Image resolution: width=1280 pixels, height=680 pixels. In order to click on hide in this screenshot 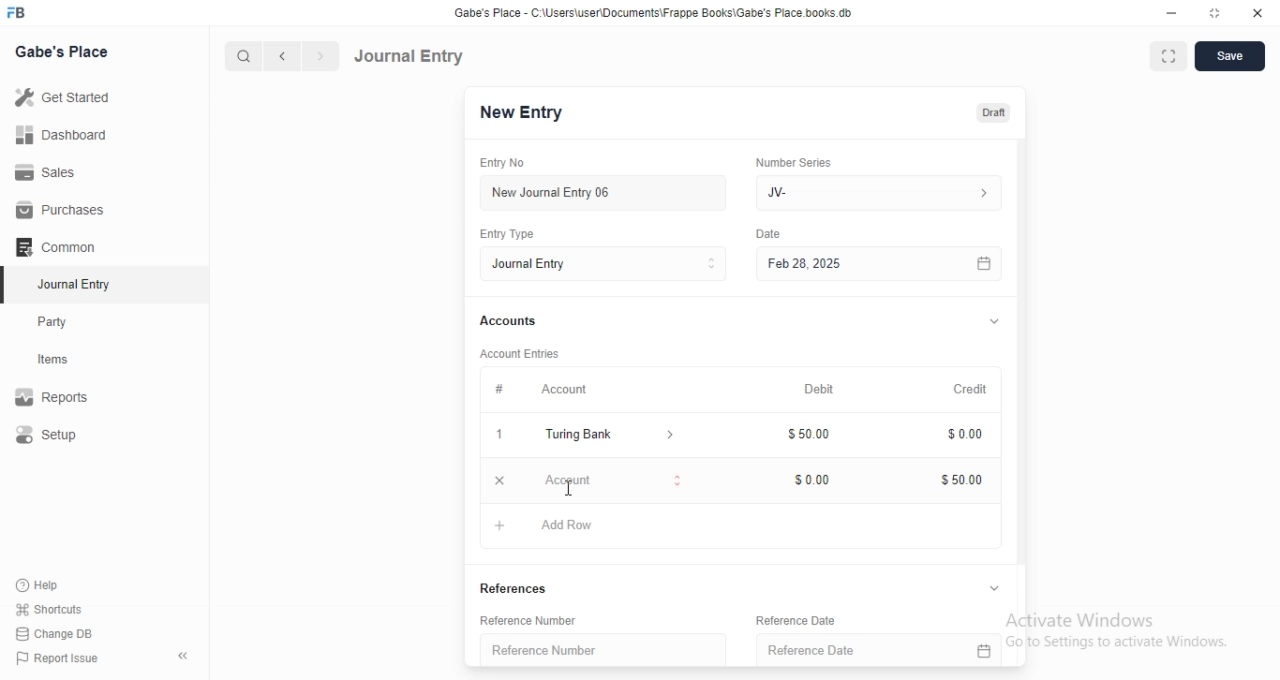, I will do `click(179, 657)`.